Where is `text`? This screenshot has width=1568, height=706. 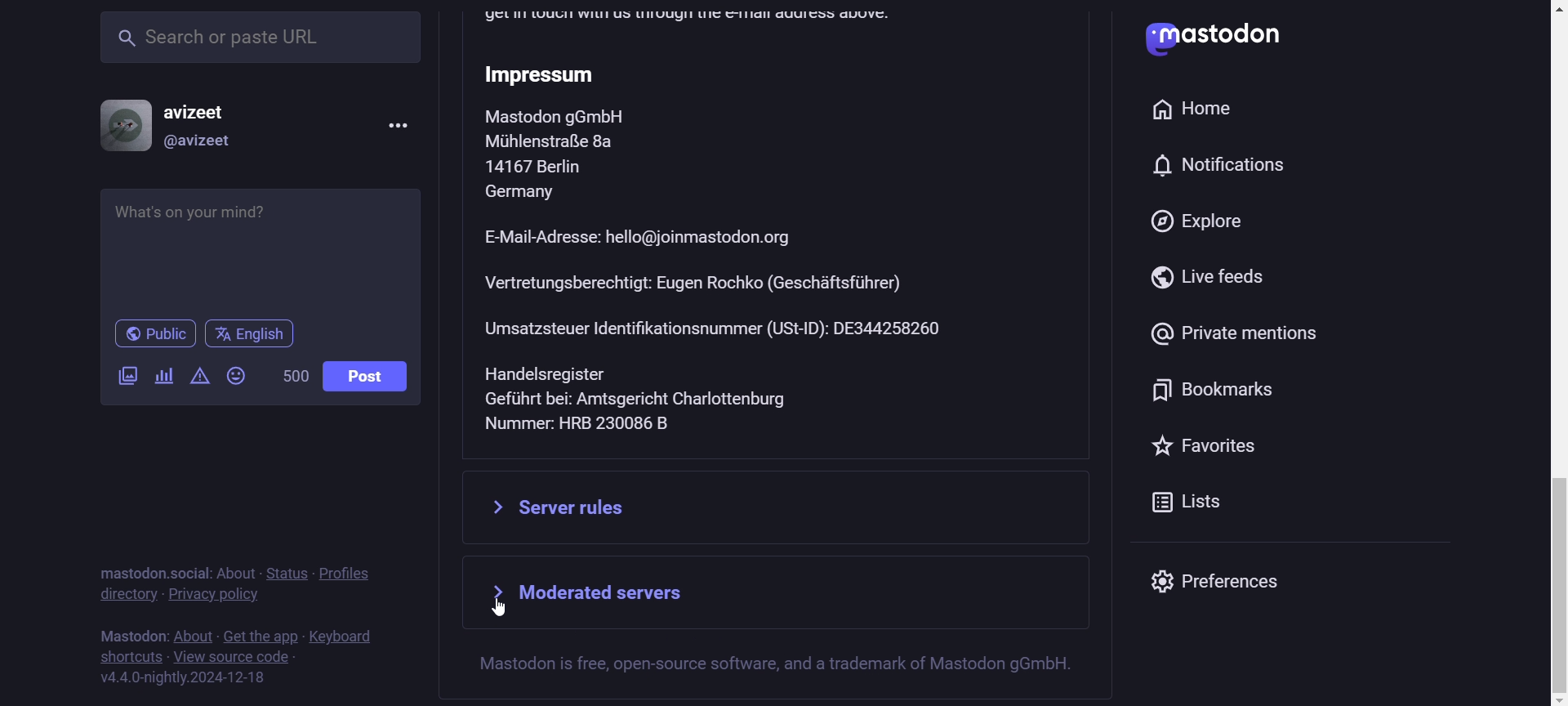 text is located at coordinates (795, 670).